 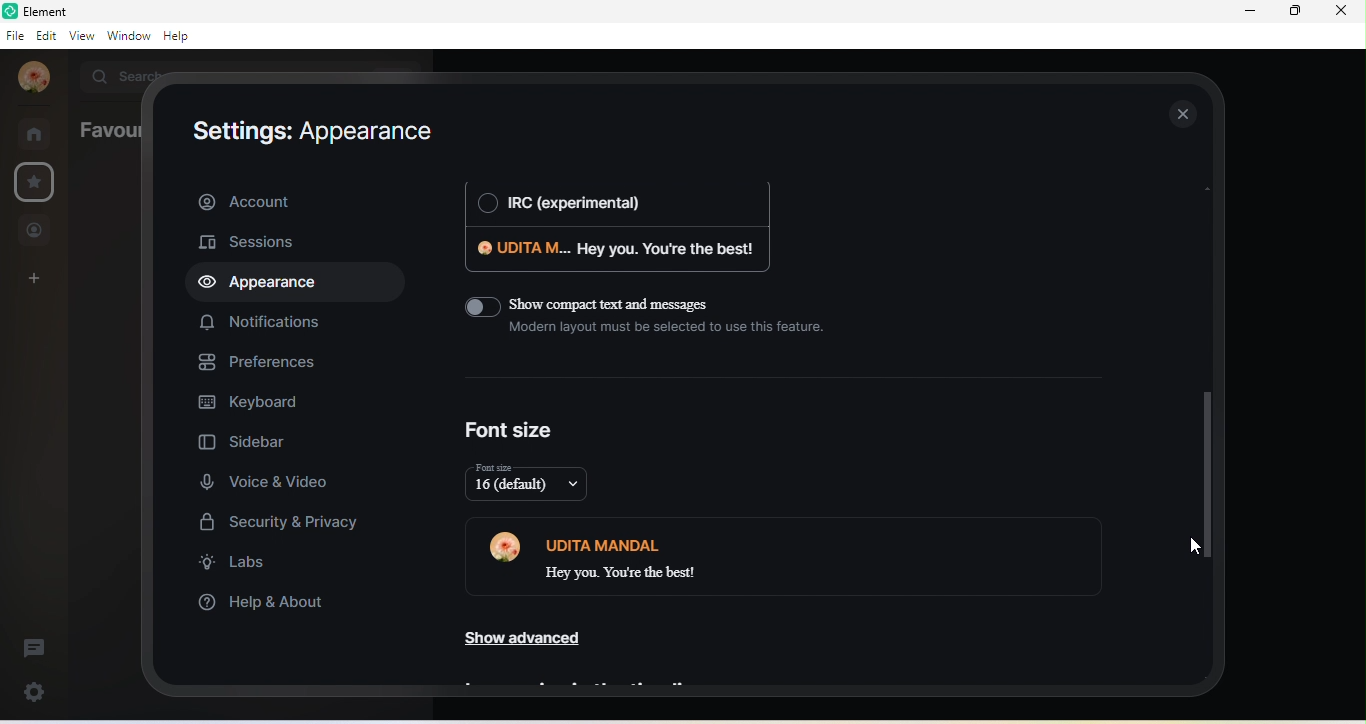 I want to click on title, so click(x=51, y=11).